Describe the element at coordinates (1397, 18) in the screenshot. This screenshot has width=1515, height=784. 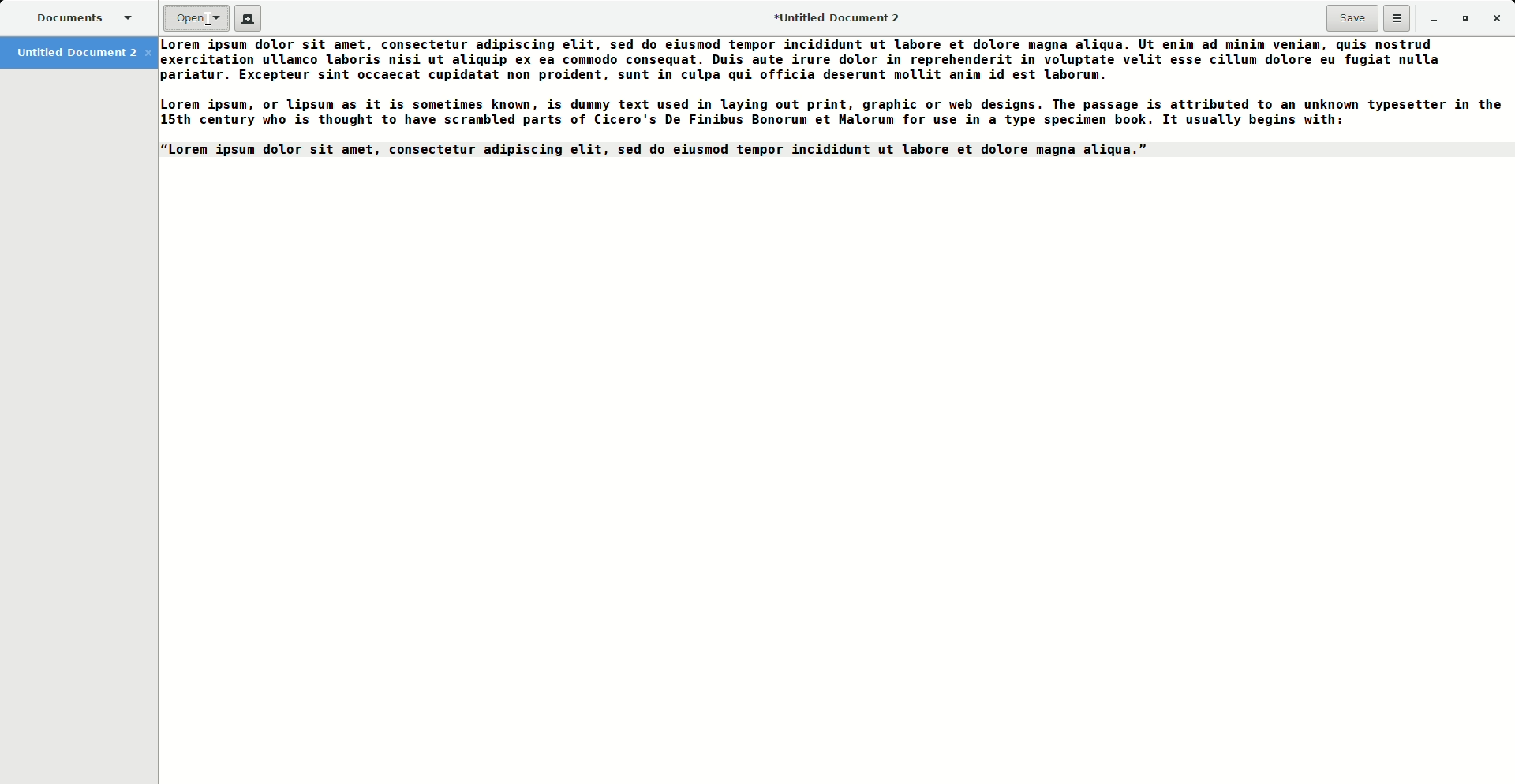
I see `Options` at that location.